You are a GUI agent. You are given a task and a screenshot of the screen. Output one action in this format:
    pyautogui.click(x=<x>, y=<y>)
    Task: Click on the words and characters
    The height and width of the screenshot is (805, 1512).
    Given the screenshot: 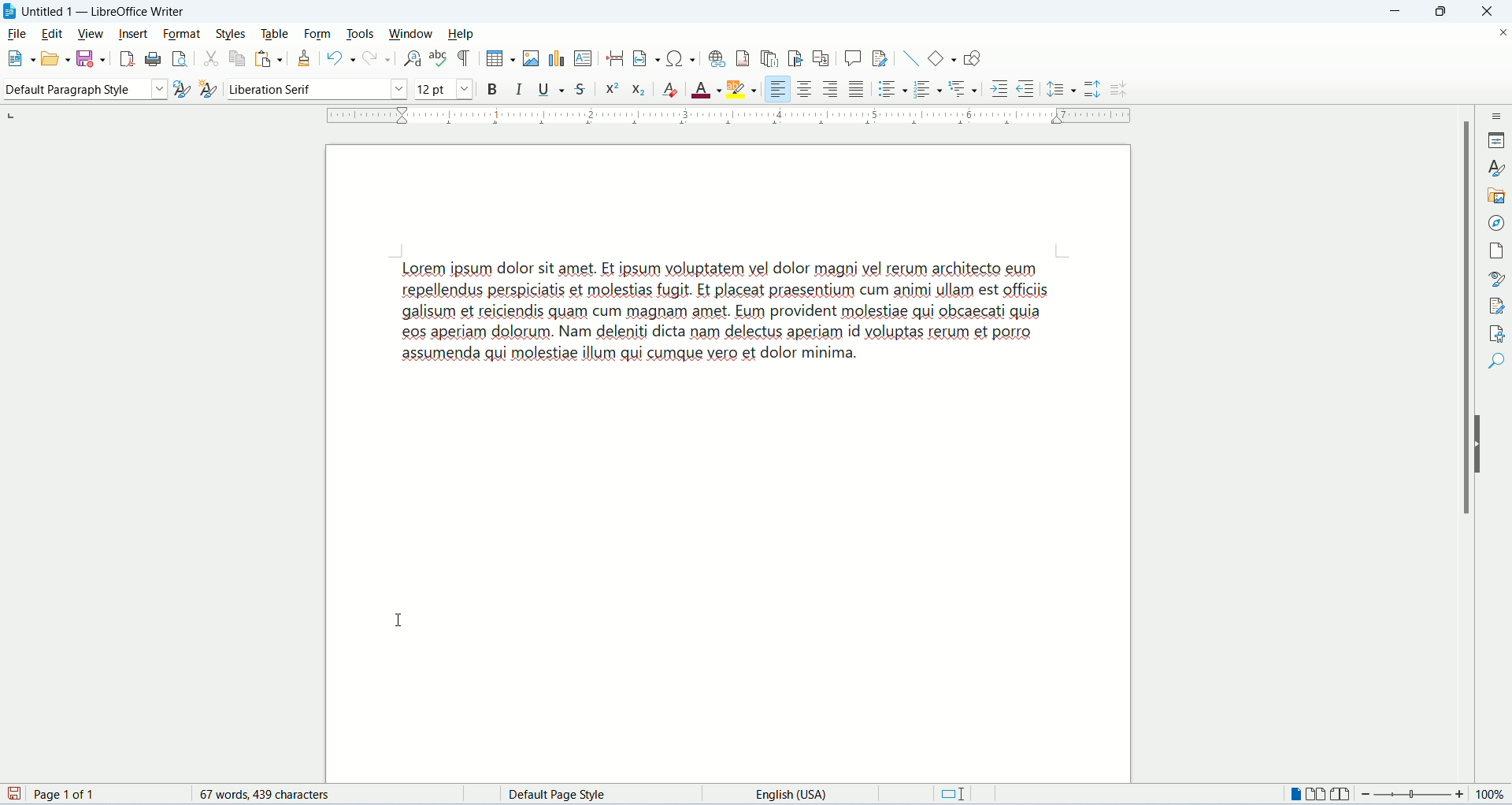 What is the action you would take?
    pyautogui.click(x=266, y=796)
    